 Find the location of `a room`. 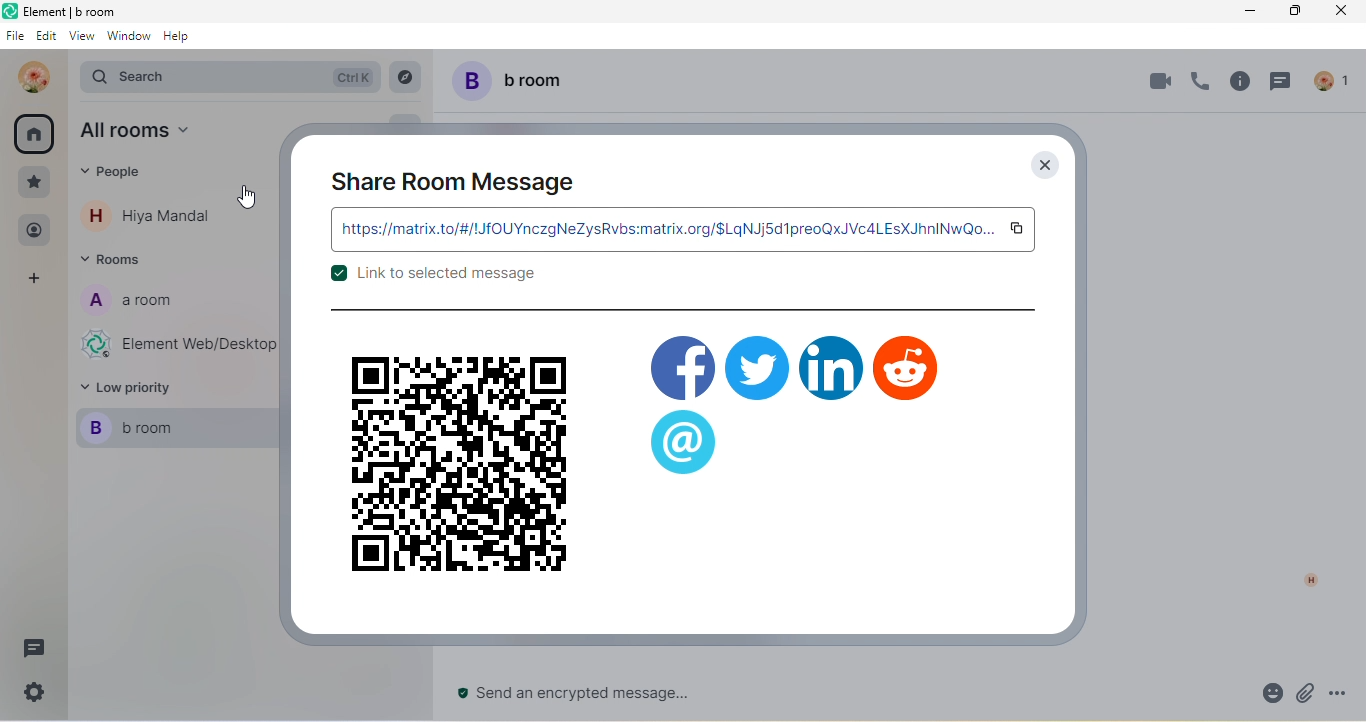

a room is located at coordinates (143, 305).